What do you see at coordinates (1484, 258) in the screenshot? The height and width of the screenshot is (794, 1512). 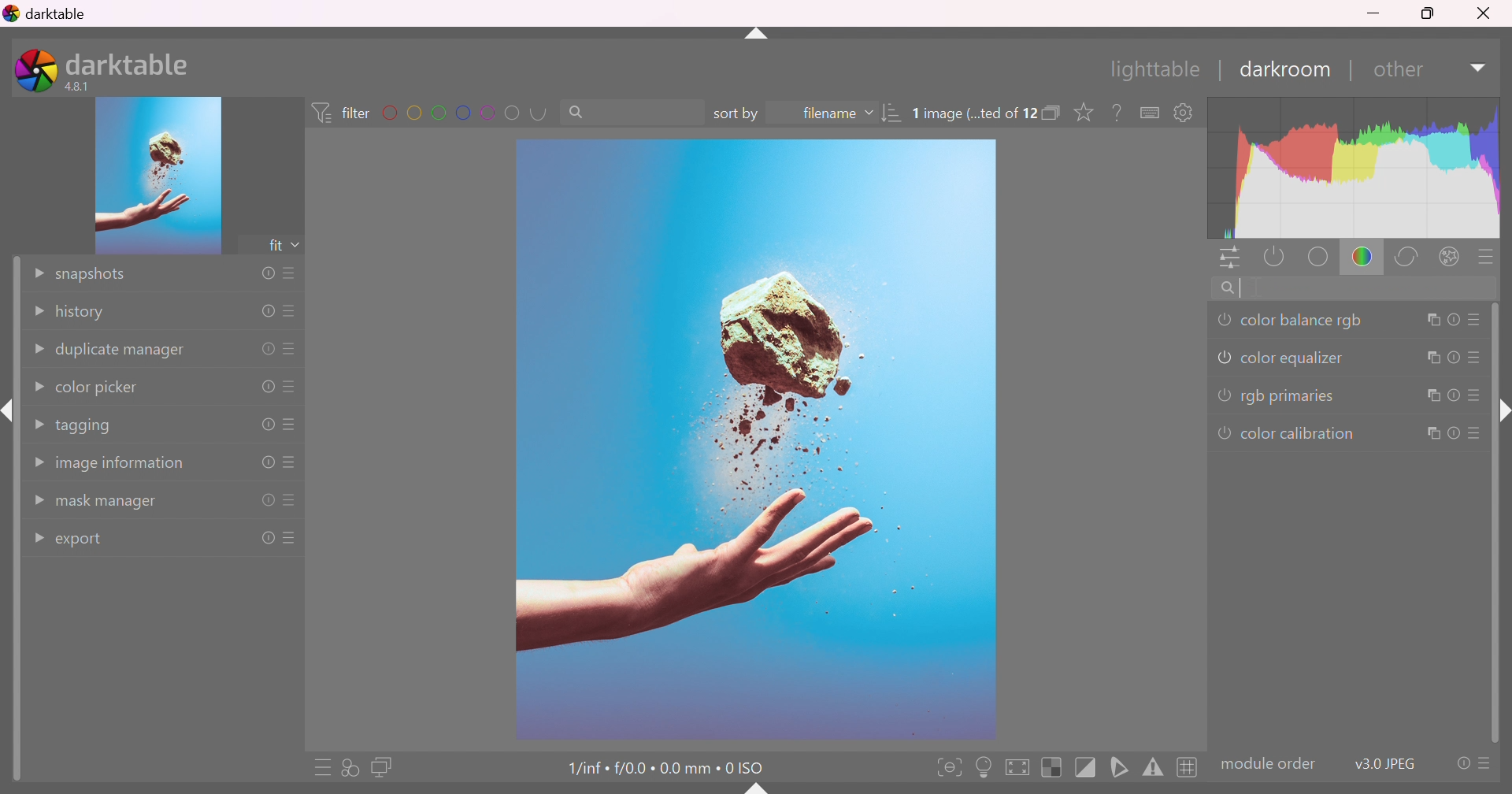 I see `presets` at bounding box center [1484, 258].